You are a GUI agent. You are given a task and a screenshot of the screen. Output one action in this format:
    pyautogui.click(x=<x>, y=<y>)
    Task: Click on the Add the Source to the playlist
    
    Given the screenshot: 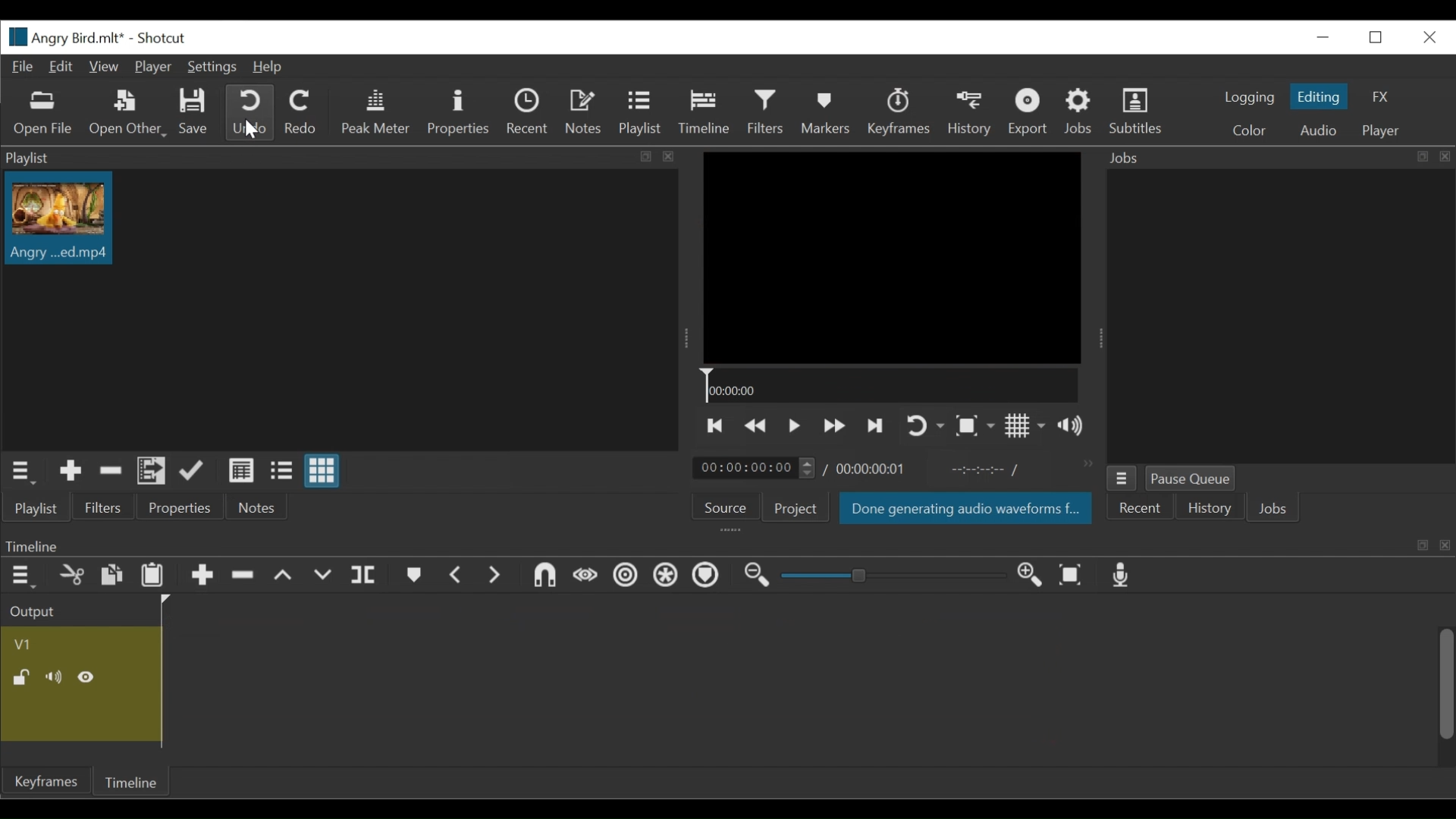 What is the action you would take?
    pyautogui.click(x=70, y=471)
    